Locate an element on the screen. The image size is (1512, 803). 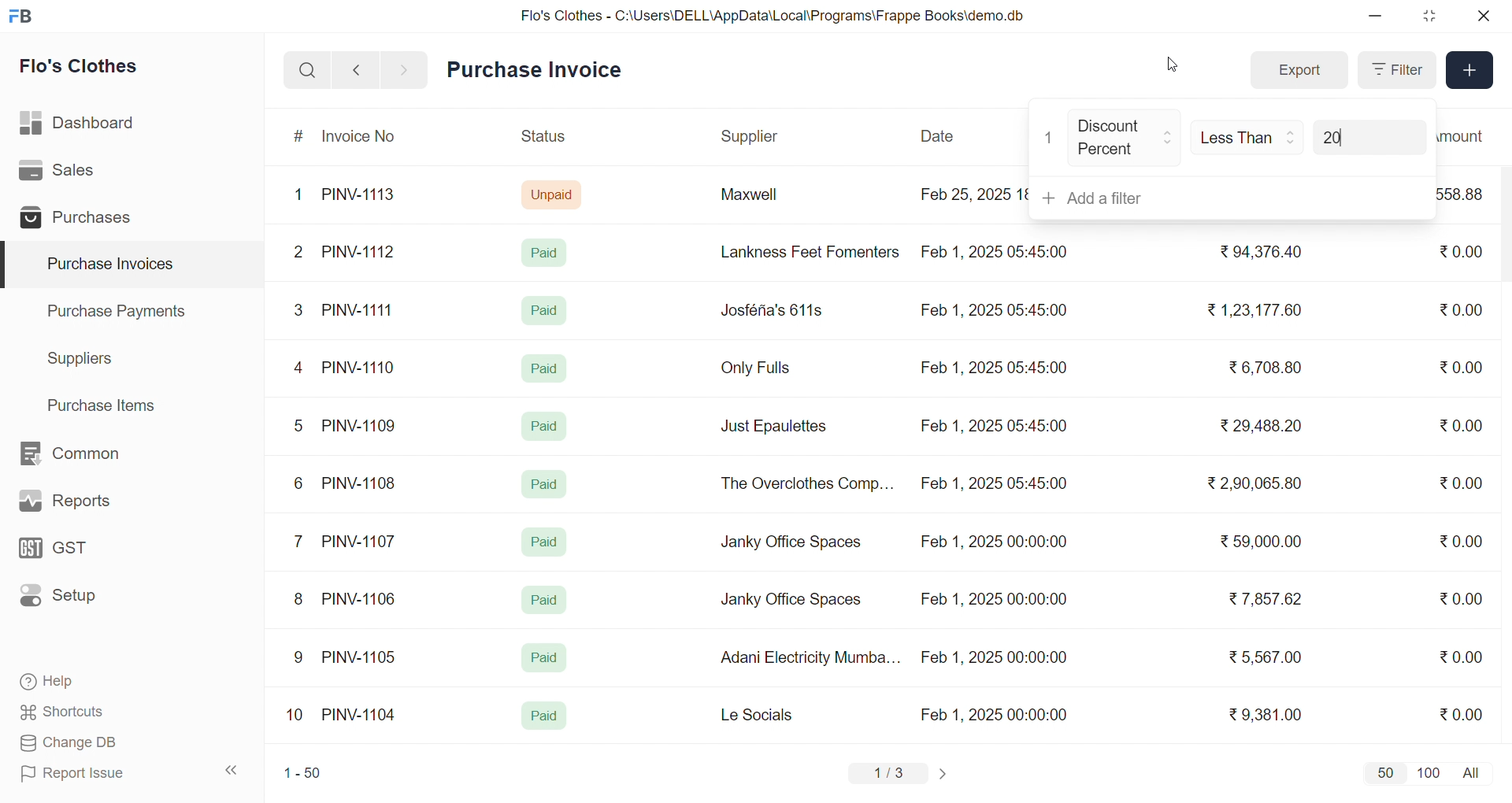
Feb 1, 2025 05:45:00 is located at coordinates (993, 426).